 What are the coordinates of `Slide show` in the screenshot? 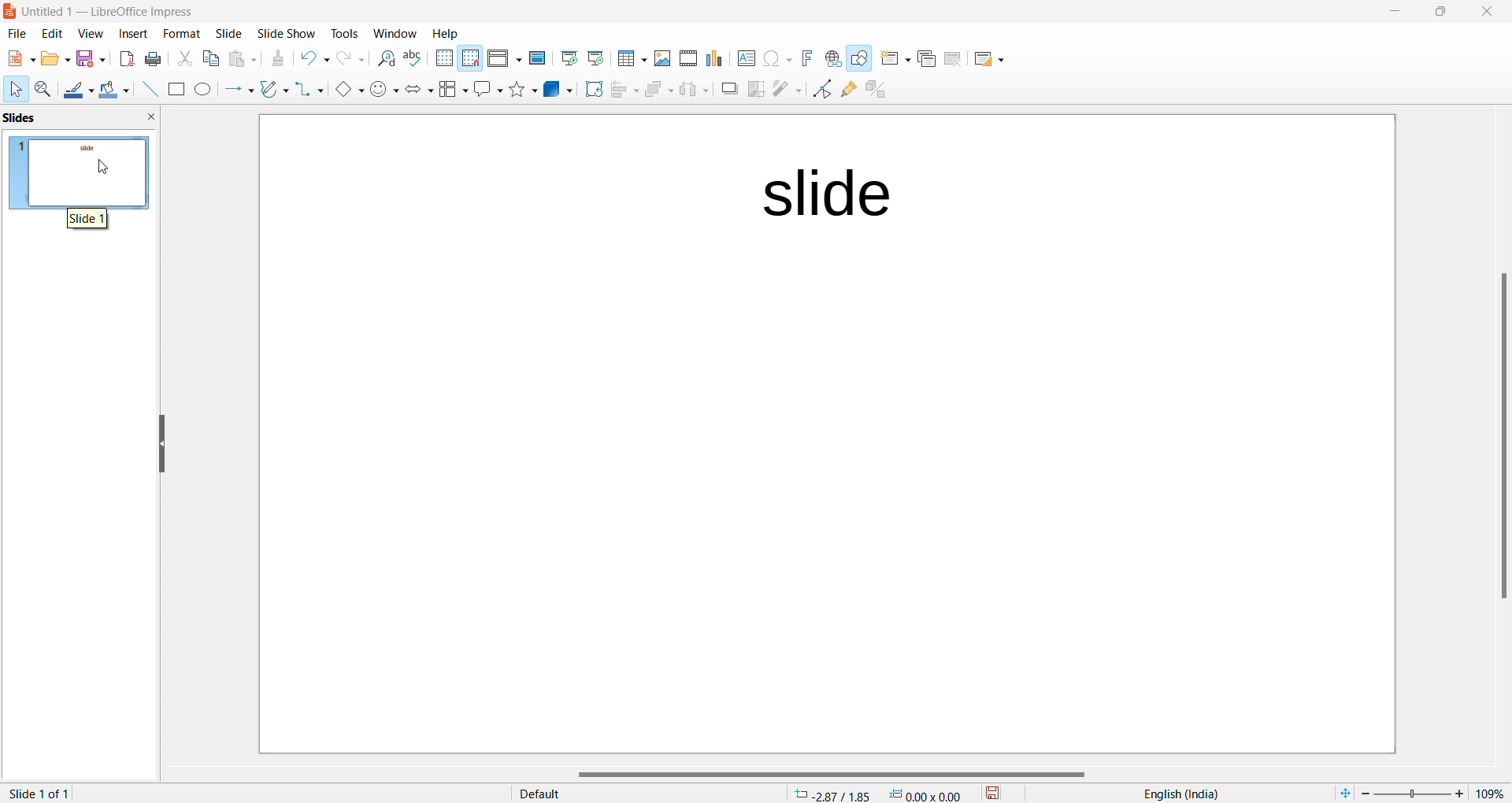 It's located at (285, 31).